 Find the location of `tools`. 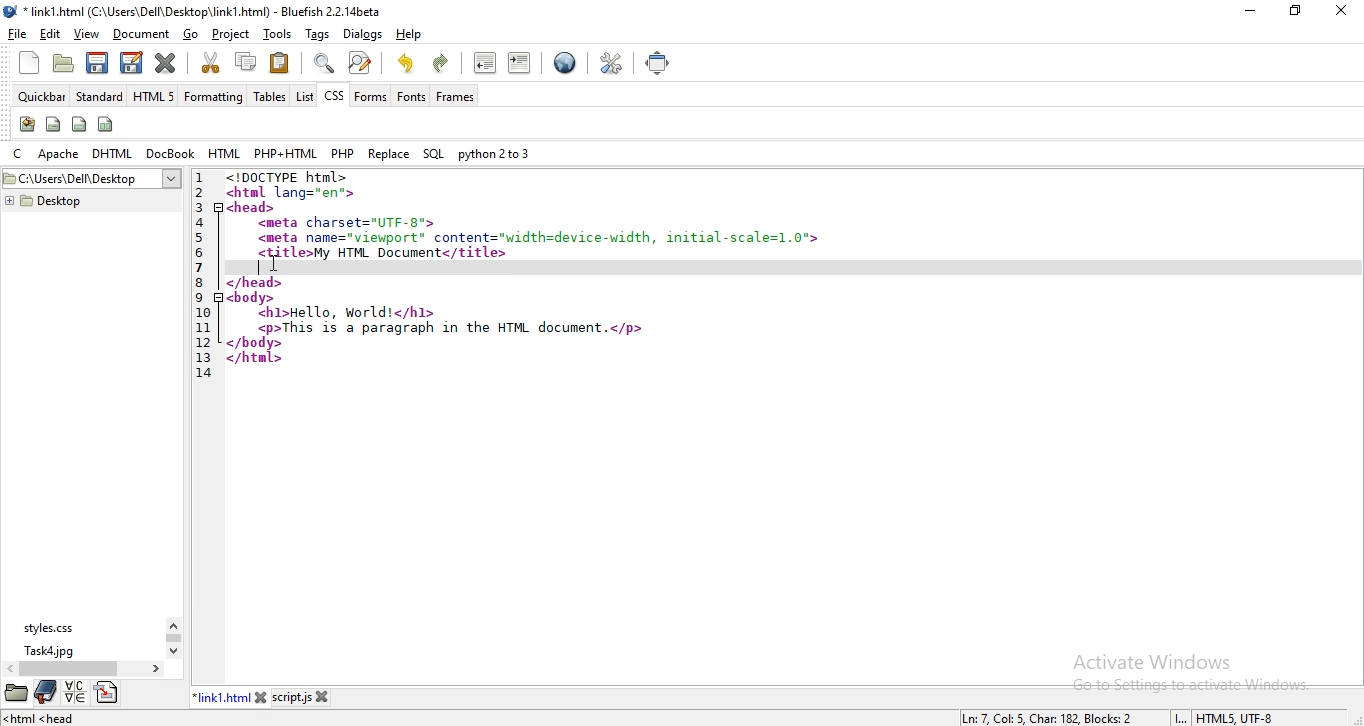

tools is located at coordinates (279, 35).